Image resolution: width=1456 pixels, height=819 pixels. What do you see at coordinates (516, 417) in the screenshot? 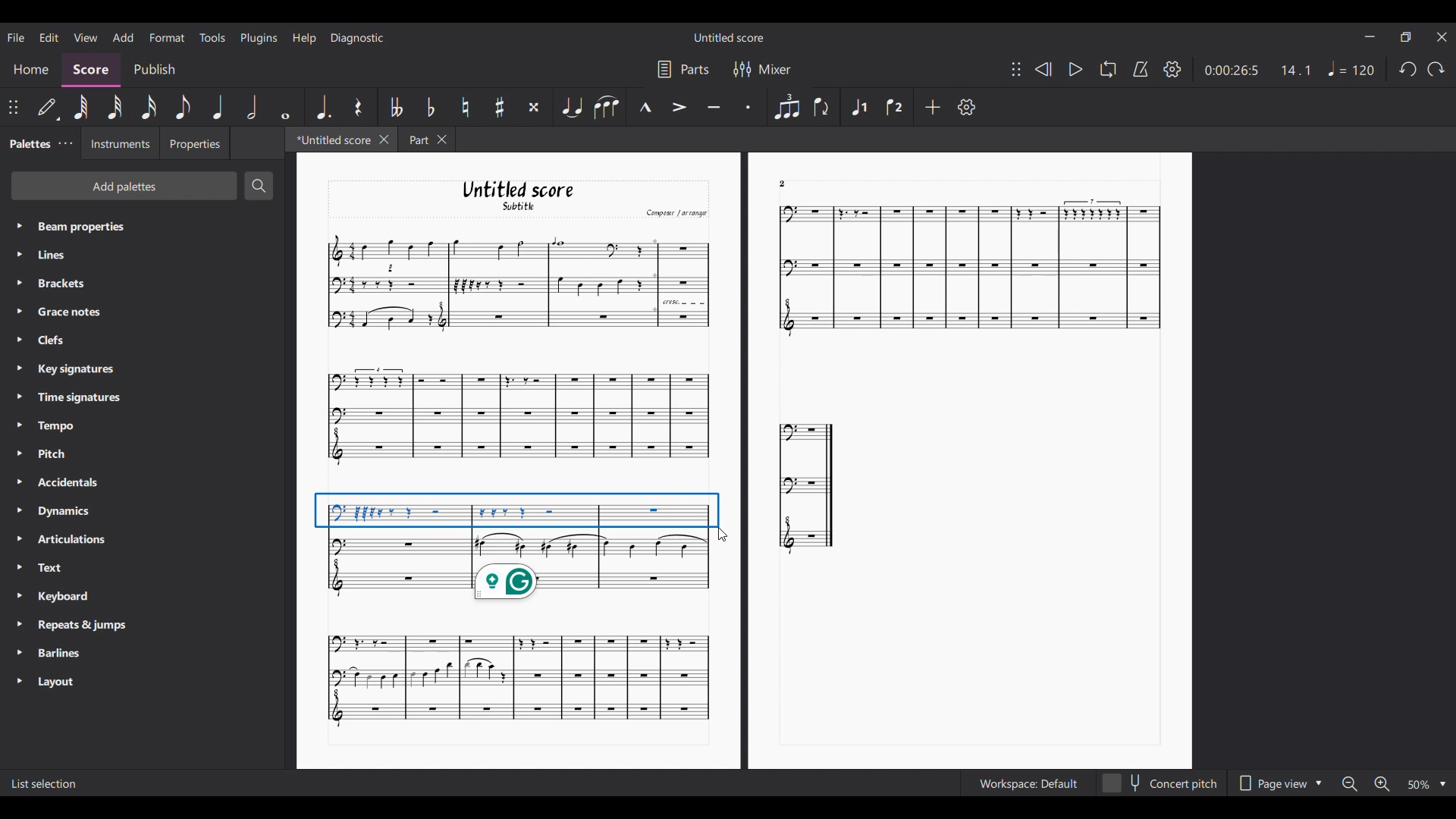
I see `Graph` at bounding box center [516, 417].